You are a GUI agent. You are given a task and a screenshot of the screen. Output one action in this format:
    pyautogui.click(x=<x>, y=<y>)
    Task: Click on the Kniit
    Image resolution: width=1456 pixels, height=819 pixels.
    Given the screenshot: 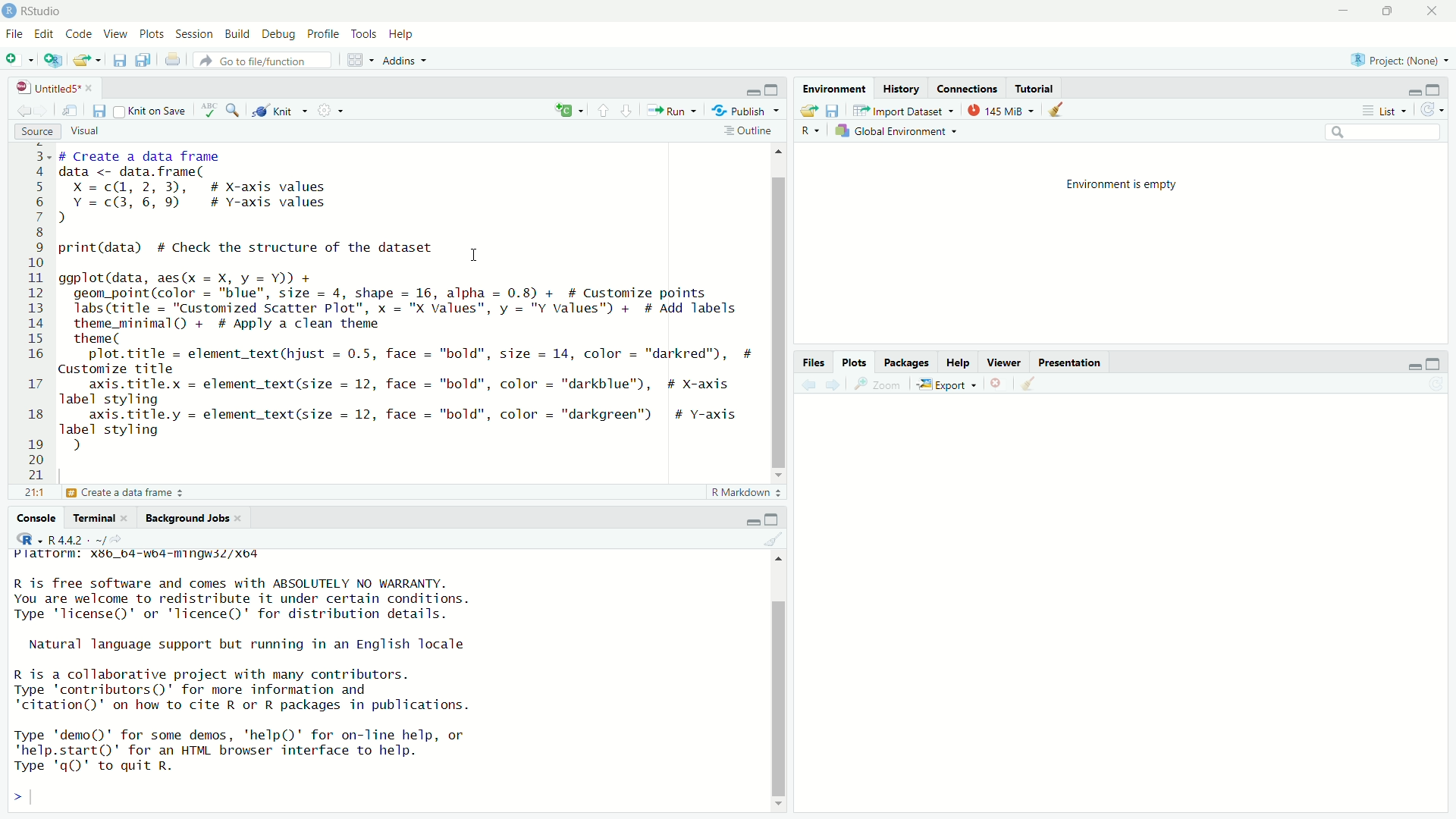 What is the action you would take?
    pyautogui.click(x=281, y=108)
    